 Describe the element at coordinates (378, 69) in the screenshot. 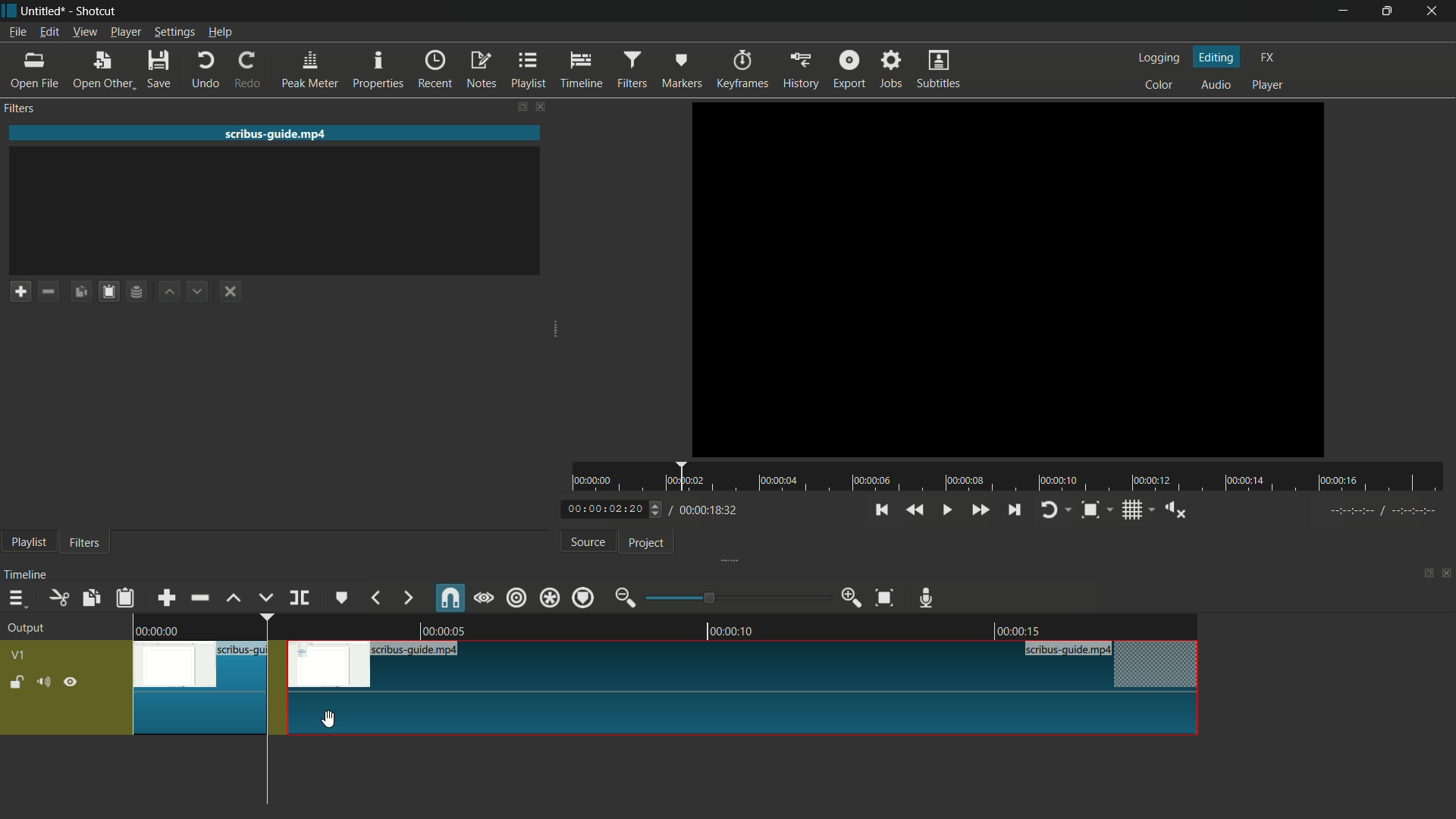

I see `properties` at that location.